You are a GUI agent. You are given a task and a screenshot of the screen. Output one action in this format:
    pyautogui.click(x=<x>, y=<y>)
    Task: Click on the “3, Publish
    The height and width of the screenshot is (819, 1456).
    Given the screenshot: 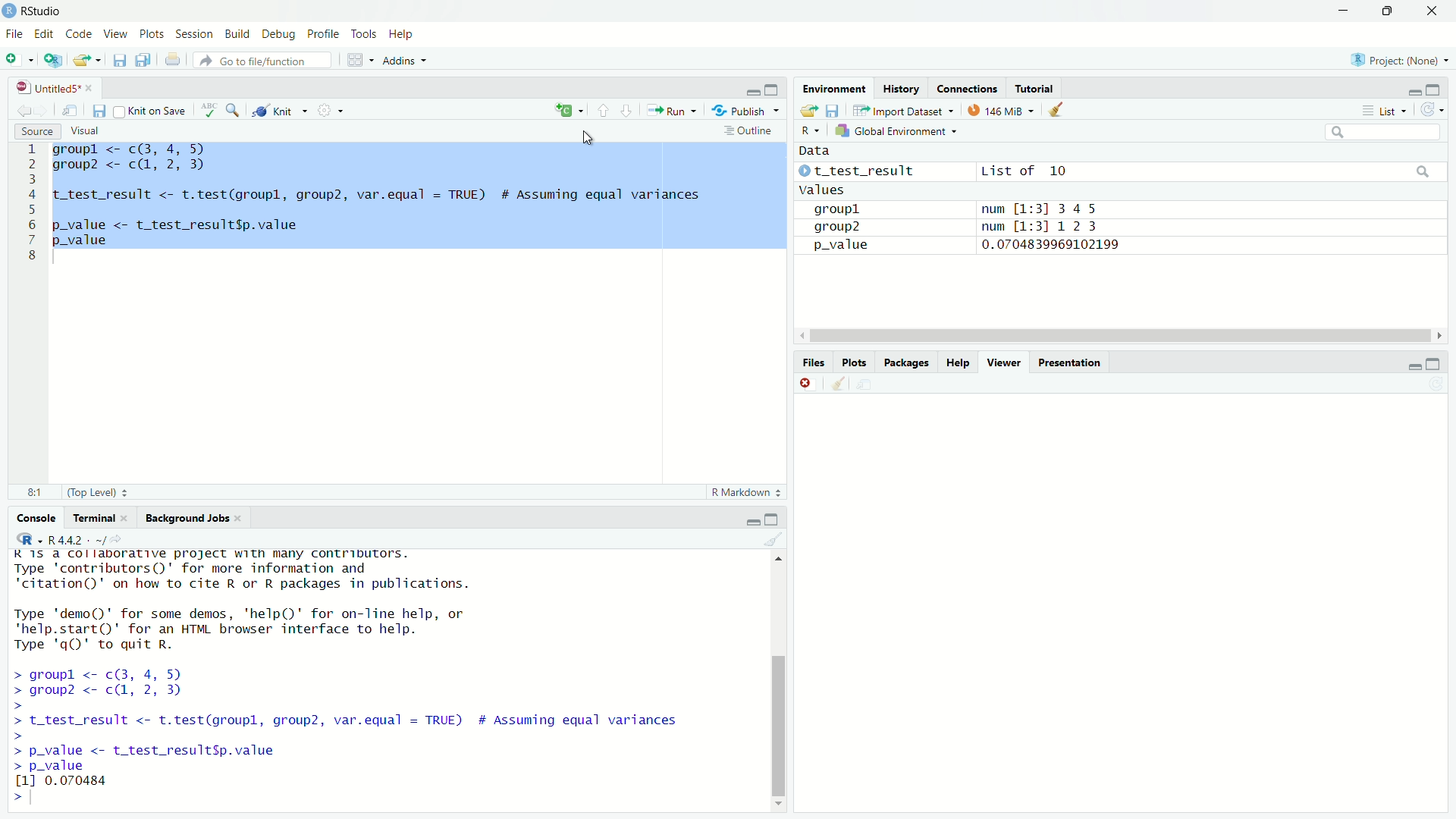 What is the action you would take?
    pyautogui.click(x=739, y=108)
    